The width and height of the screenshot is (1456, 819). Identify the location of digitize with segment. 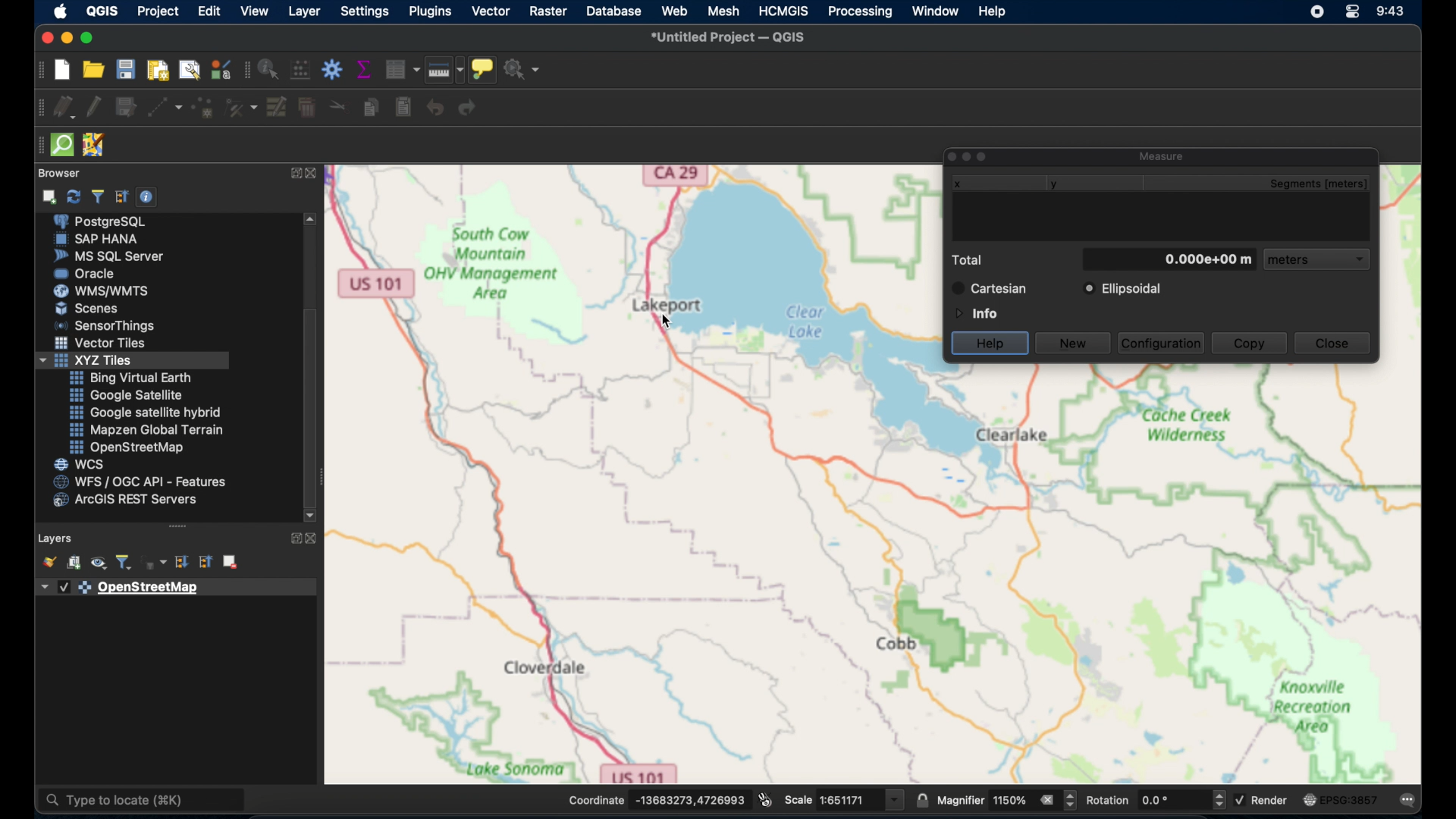
(165, 109).